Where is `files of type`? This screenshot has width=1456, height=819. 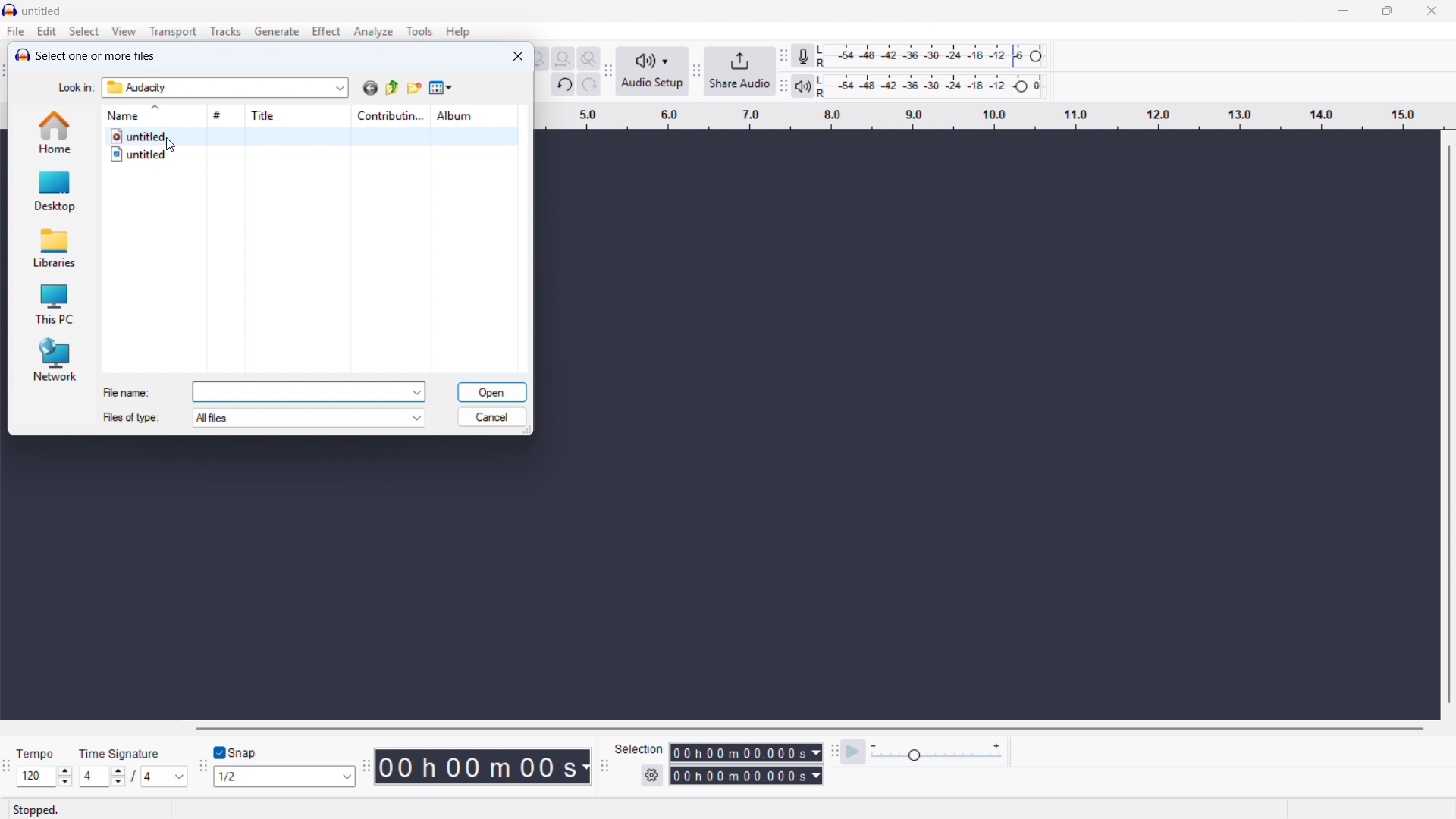 files of type is located at coordinates (130, 417).